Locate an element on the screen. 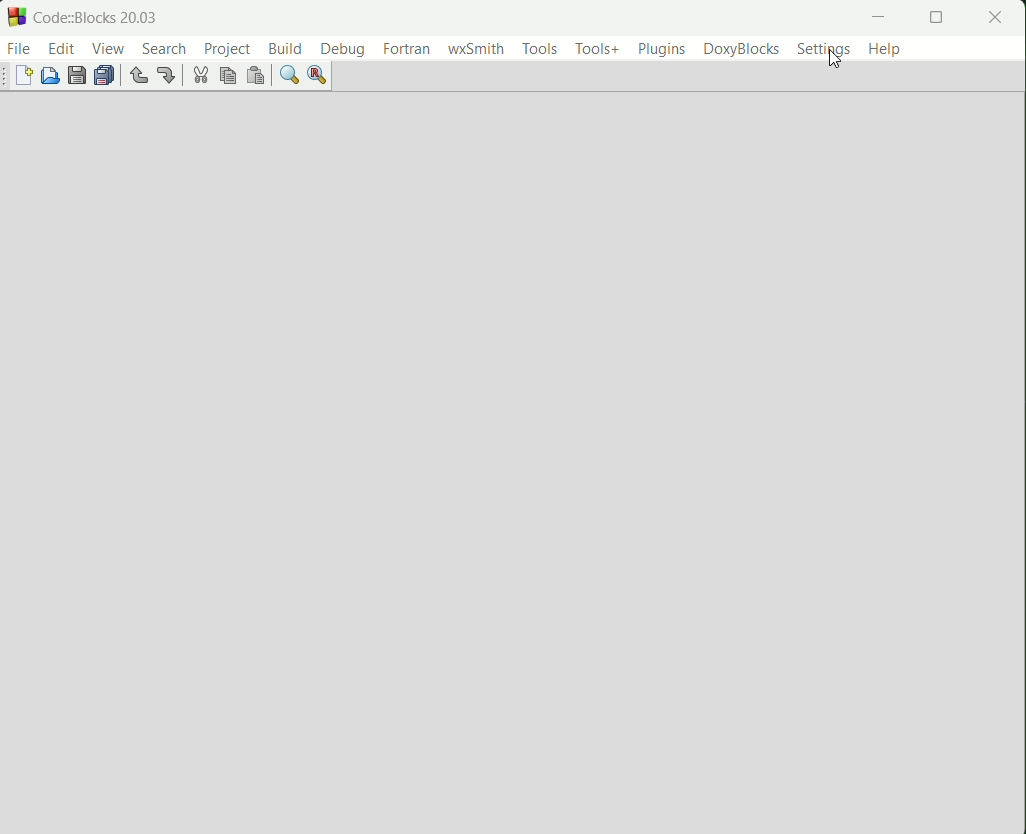 This screenshot has height=834, width=1026. paste is located at coordinates (254, 77).